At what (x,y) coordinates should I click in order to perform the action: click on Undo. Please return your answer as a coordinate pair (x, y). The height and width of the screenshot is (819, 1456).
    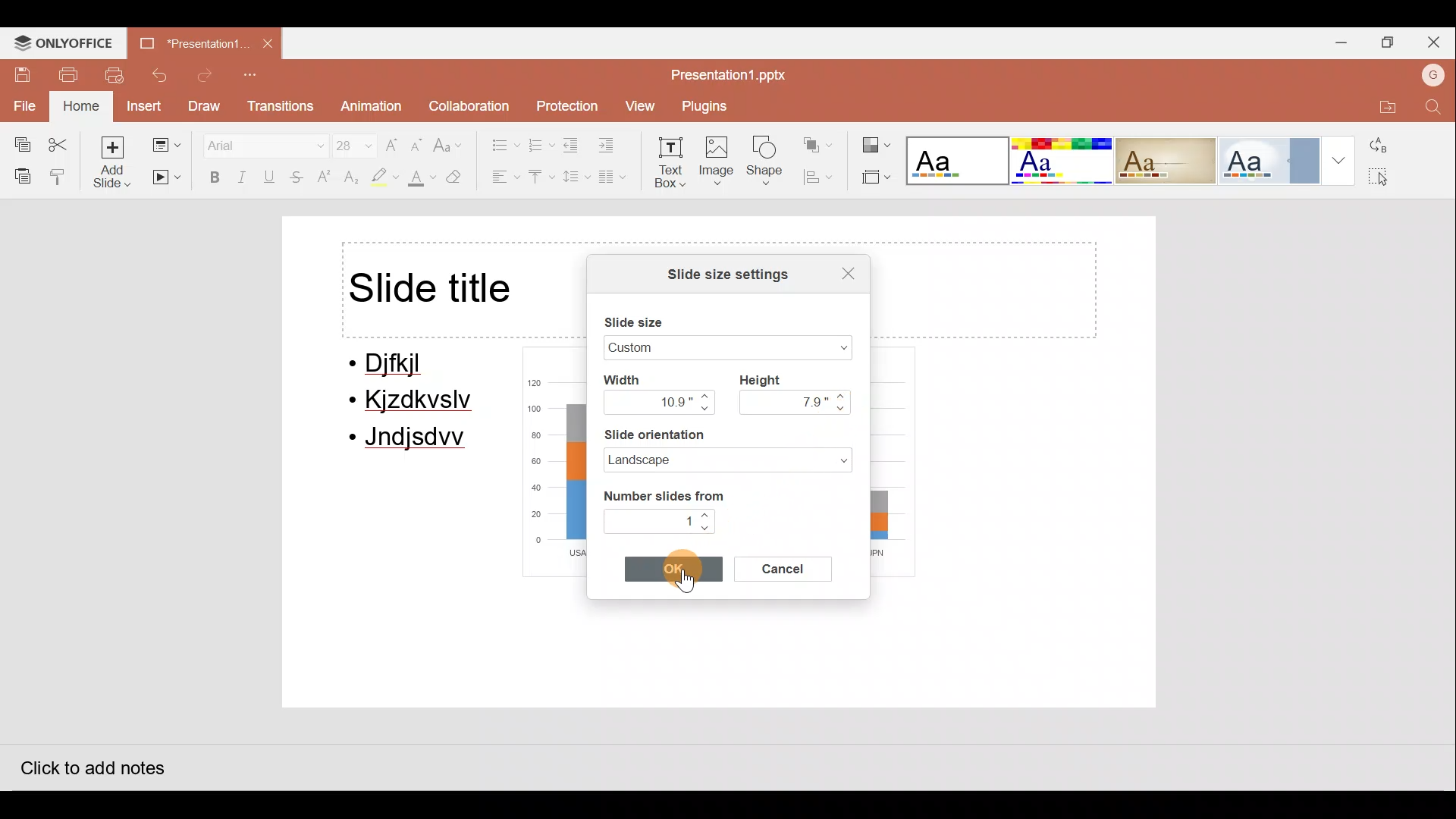
    Looking at the image, I should click on (162, 75).